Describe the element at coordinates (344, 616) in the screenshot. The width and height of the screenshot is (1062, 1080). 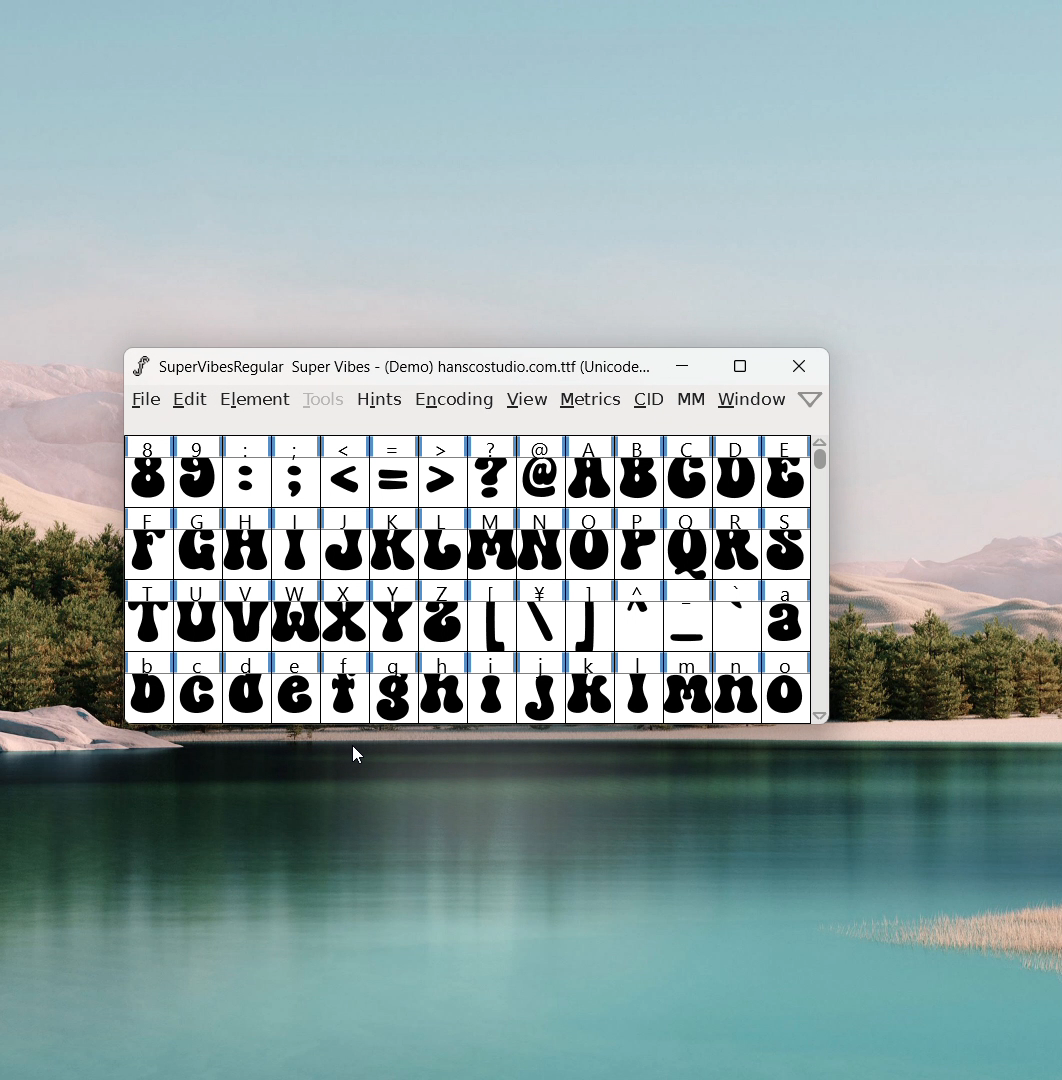
I see `X` at that location.